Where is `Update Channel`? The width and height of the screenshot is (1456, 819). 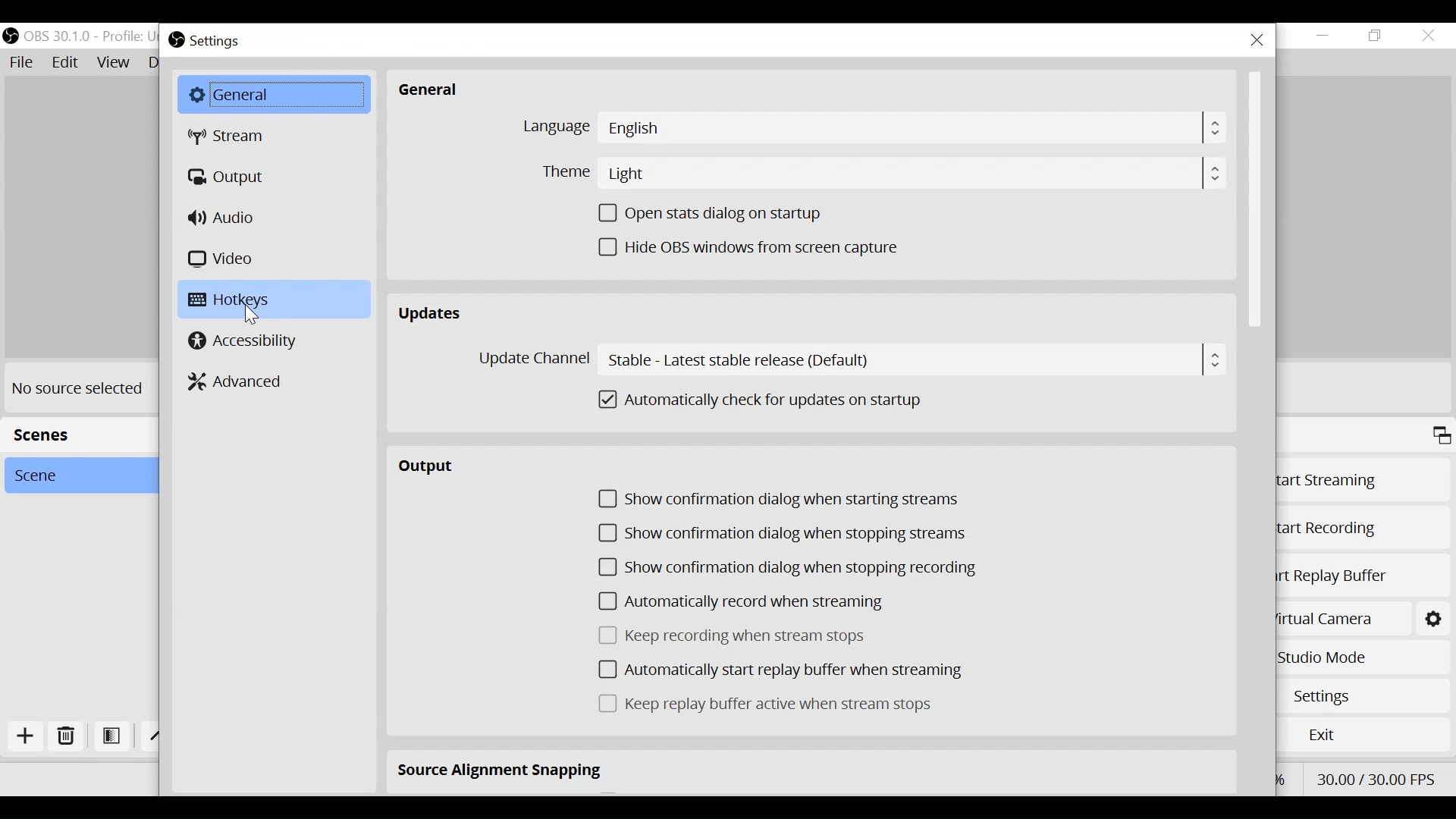
Update Channel is located at coordinates (846, 359).